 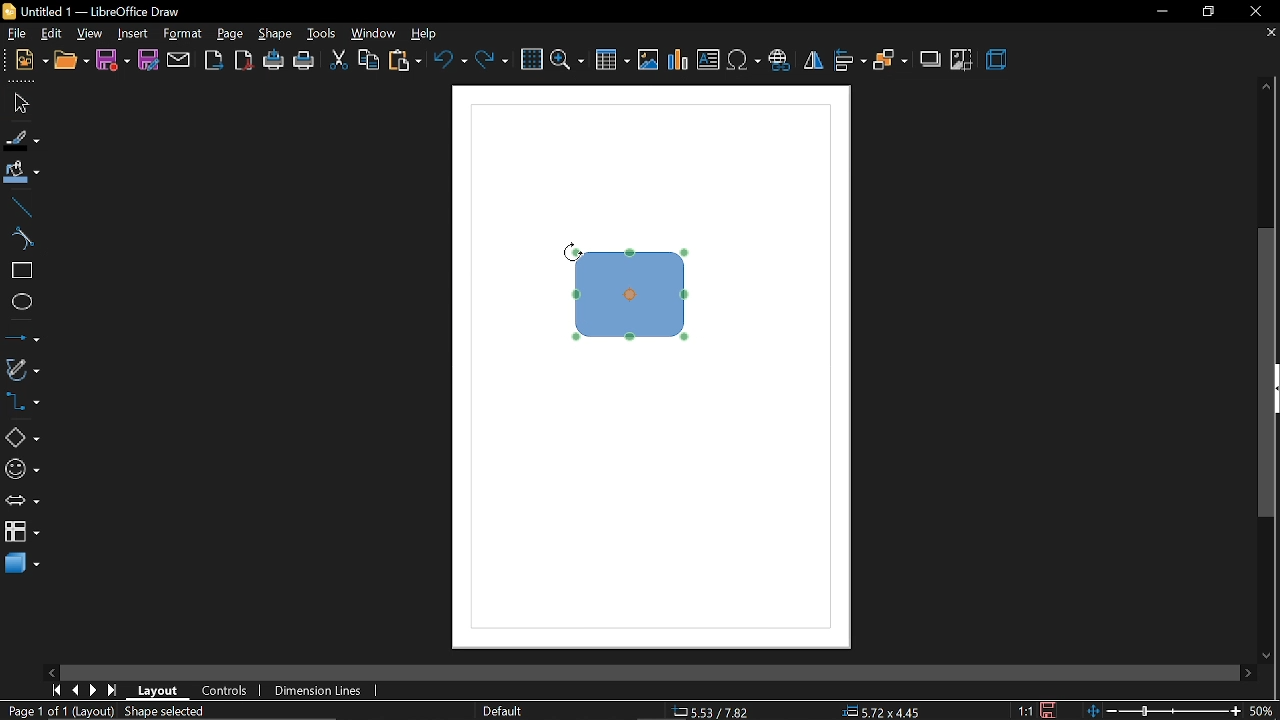 I want to click on restore down, so click(x=1204, y=13).